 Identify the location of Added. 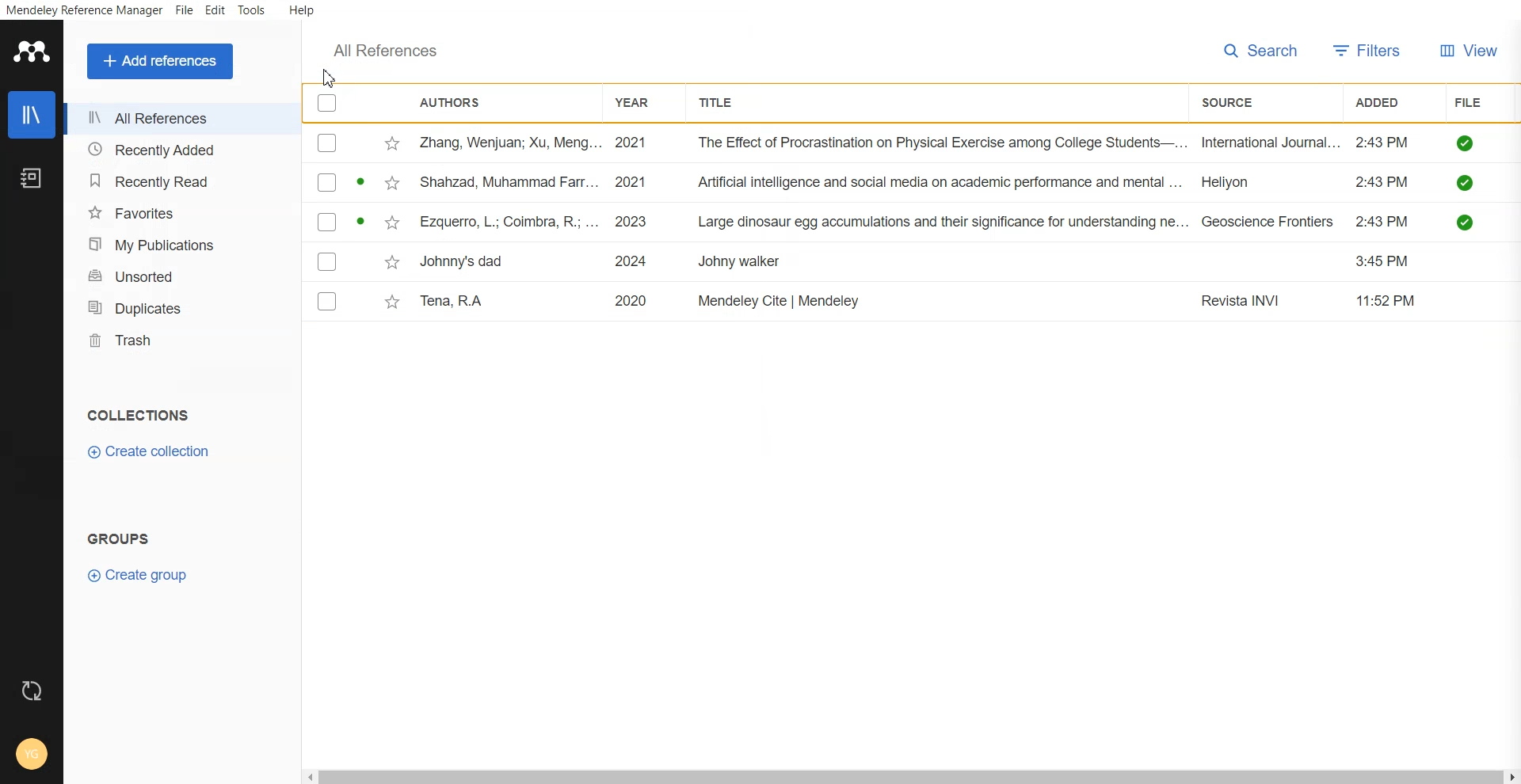
(1386, 101).